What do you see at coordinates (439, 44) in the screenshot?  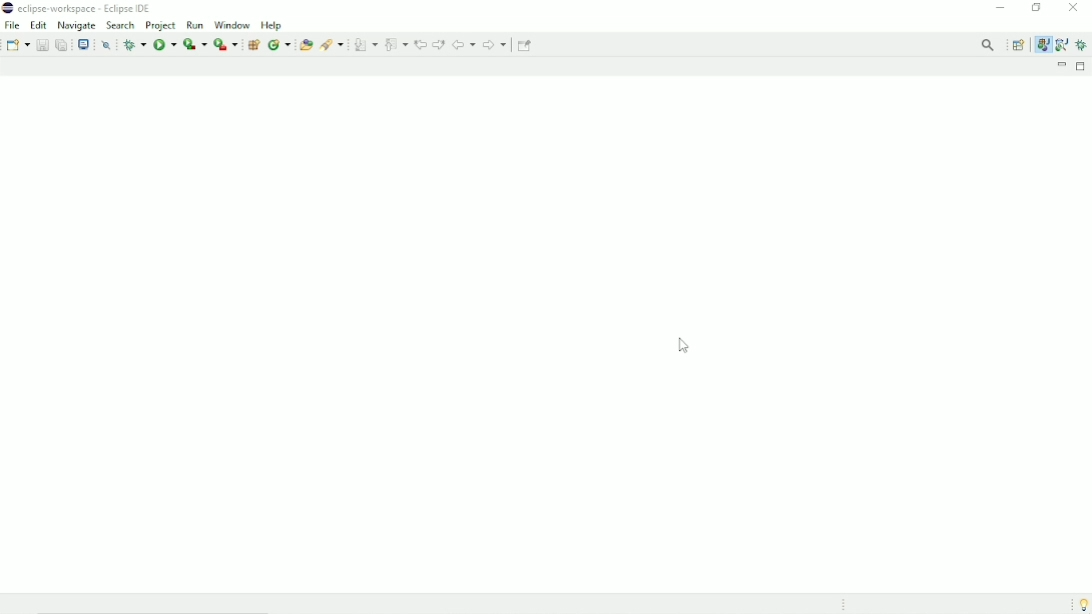 I see `Next edit location` at bounding box center [439, 44].